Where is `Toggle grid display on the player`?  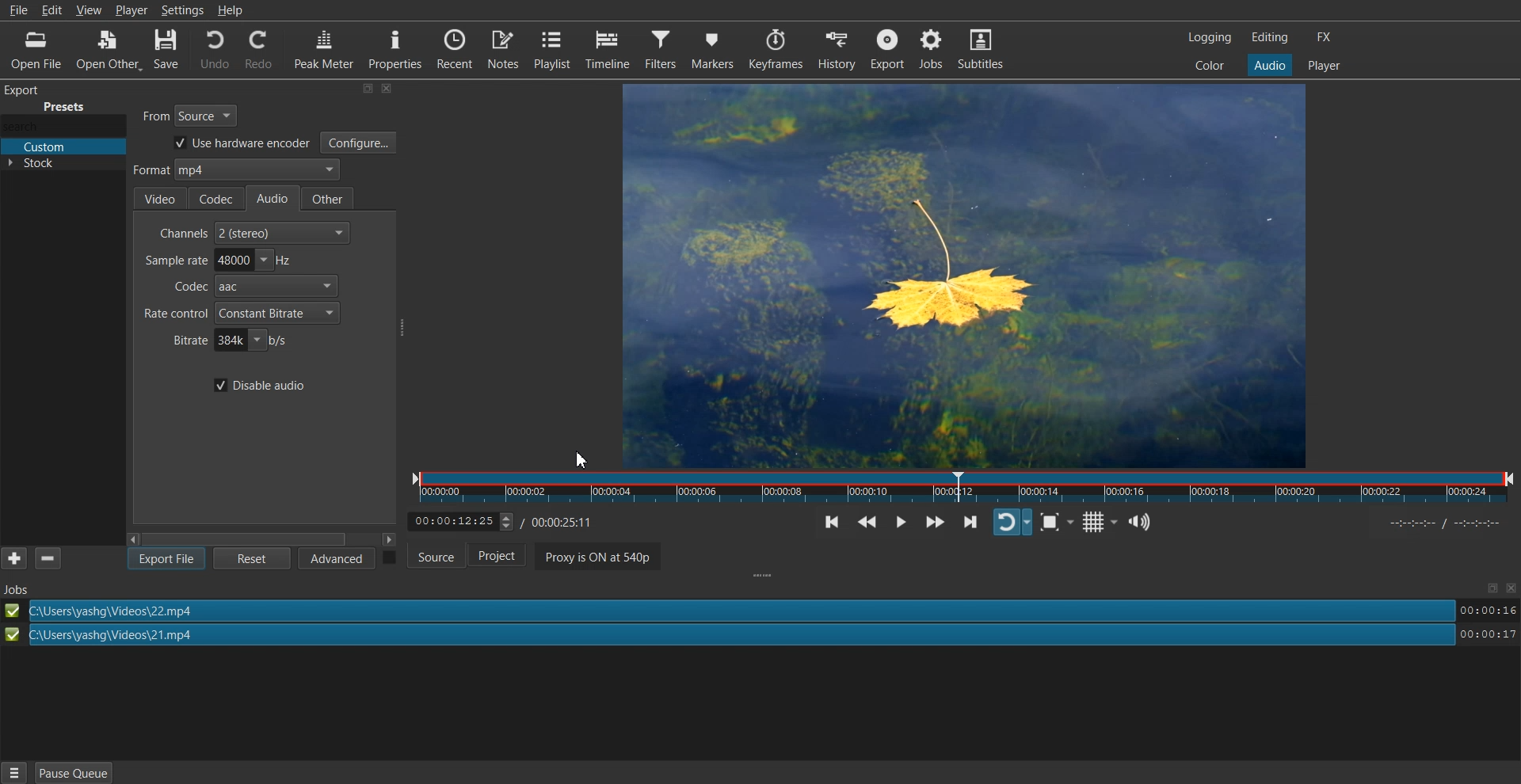 Toggle grid display on the player is located at coordinates (1102, 522).